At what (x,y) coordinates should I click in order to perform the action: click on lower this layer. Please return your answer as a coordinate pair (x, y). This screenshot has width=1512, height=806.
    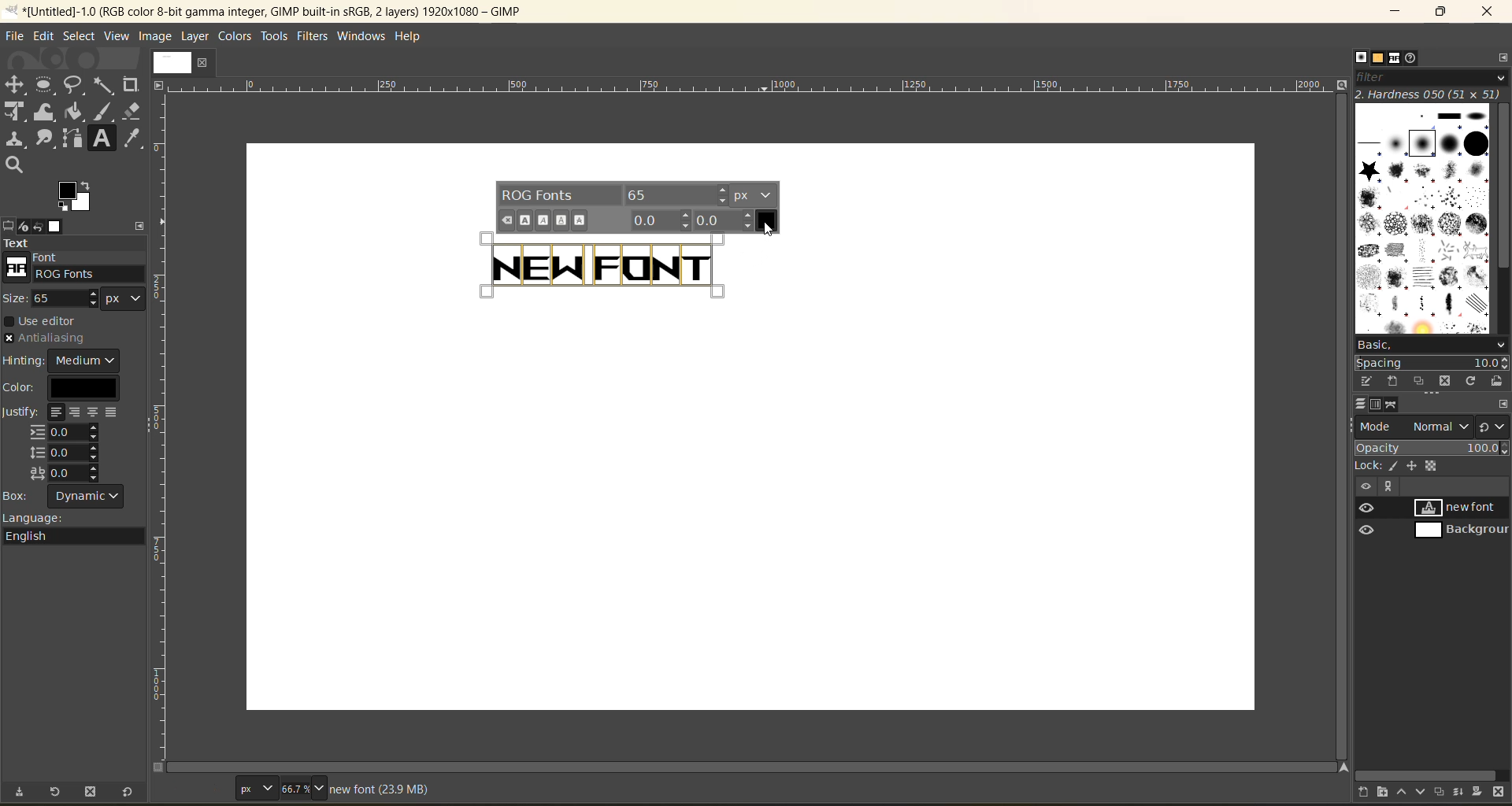
    Looking at the image, I should click on (1423, 791).